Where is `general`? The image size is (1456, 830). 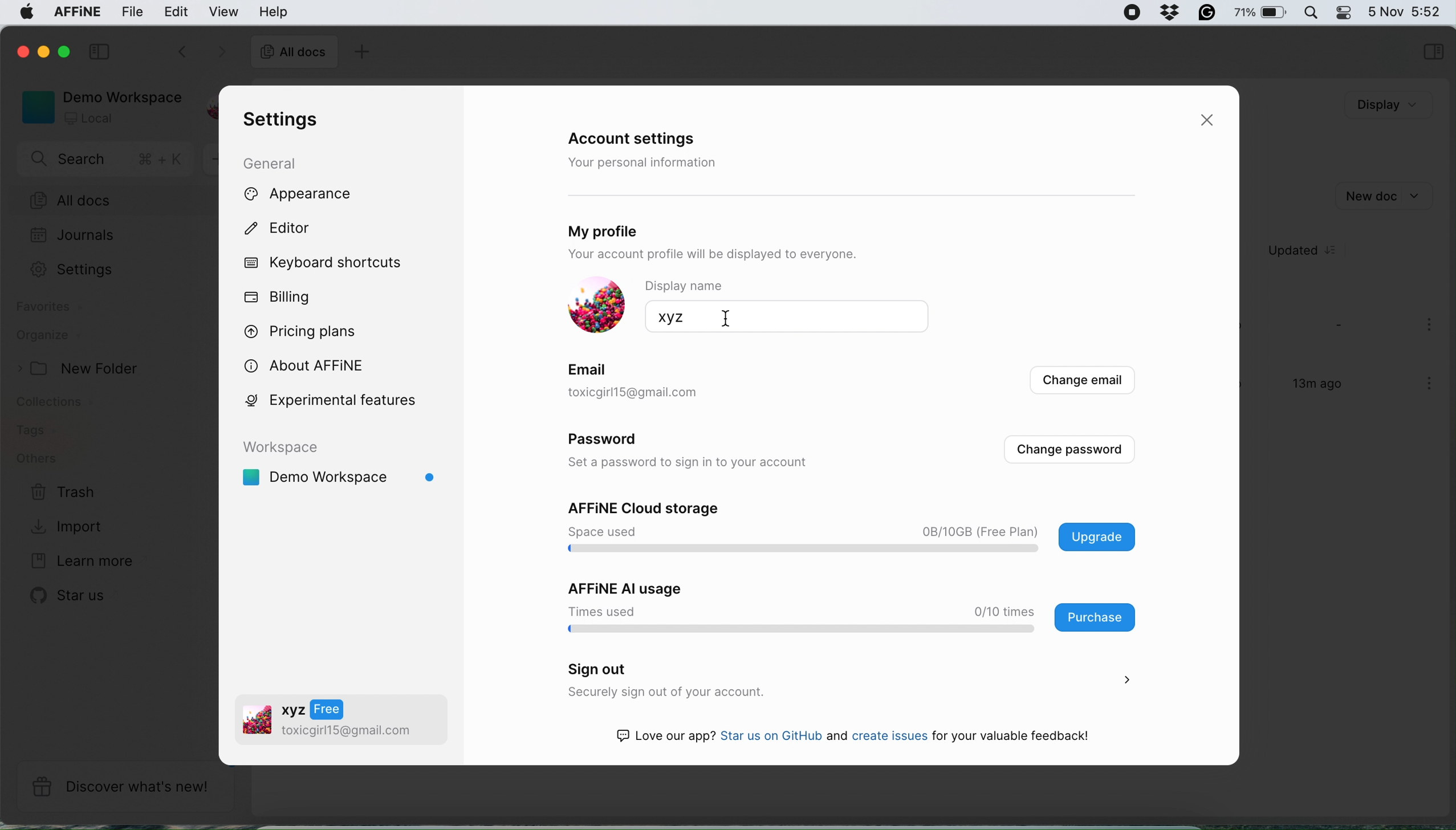 general is located at coordinates (280, 162).